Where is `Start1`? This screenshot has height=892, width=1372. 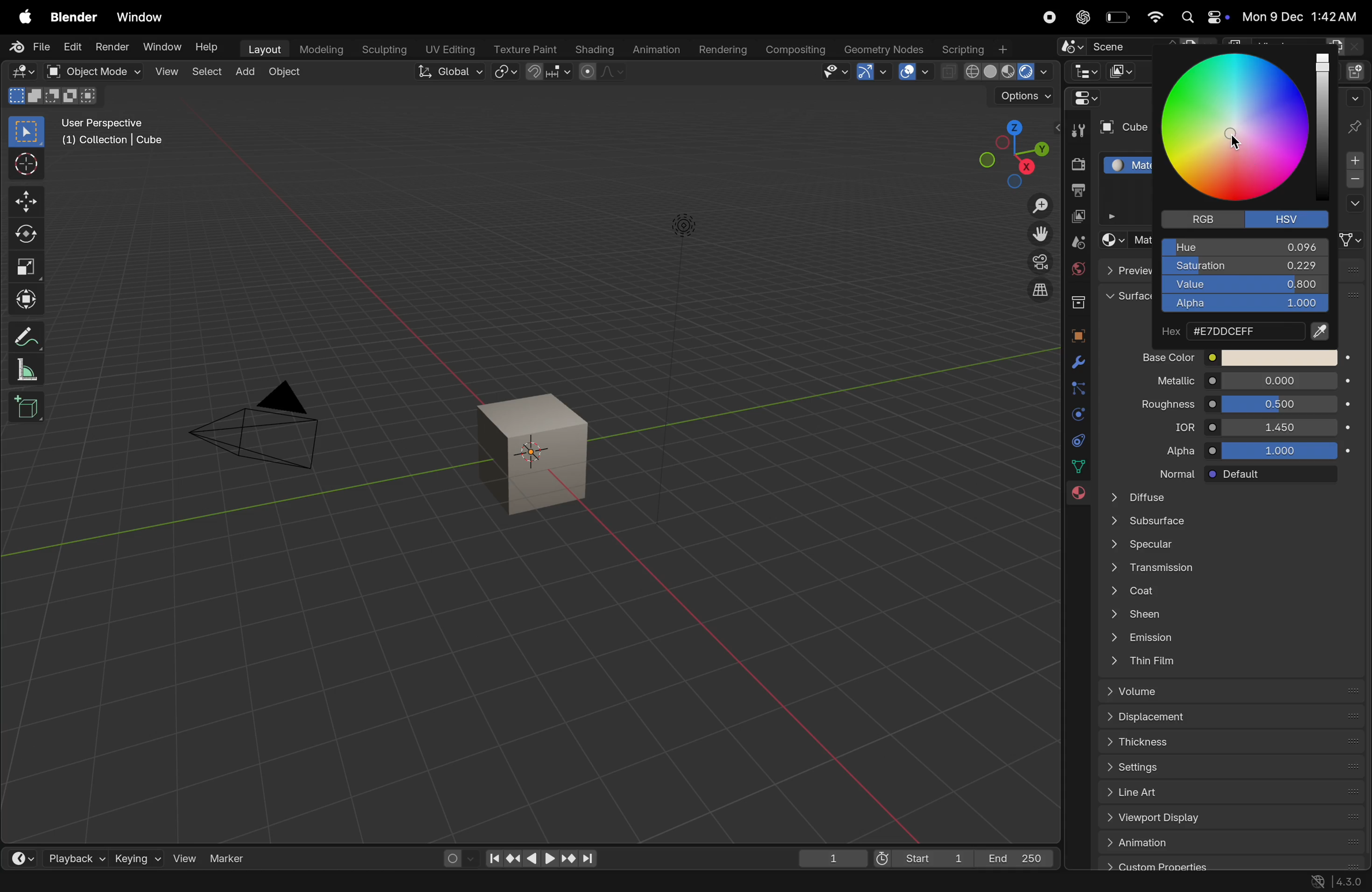
Start1 is located at coordinates (919, 860).